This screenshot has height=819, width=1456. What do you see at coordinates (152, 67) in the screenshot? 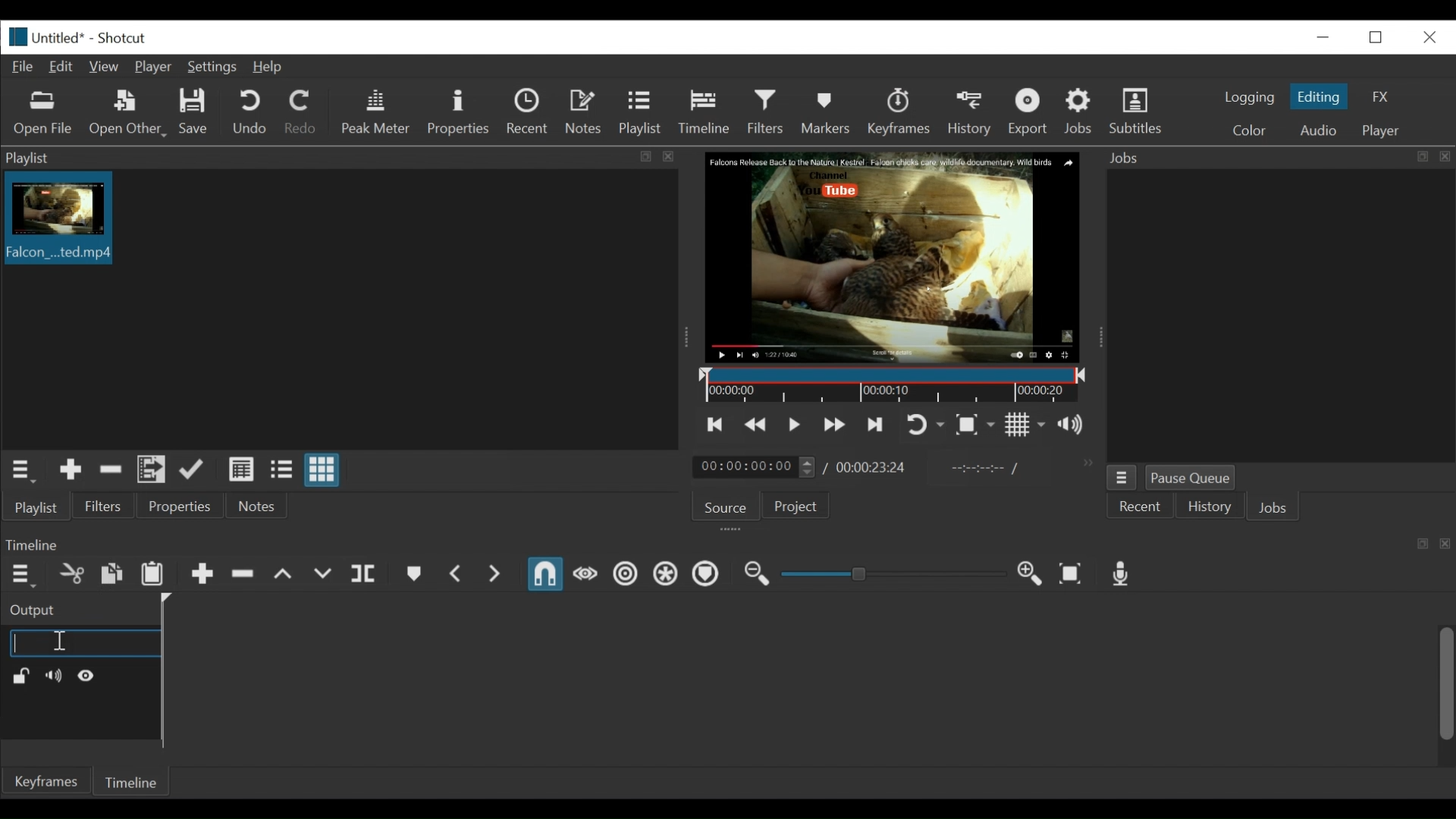
I see `Player` at bounding box center [152, 67].